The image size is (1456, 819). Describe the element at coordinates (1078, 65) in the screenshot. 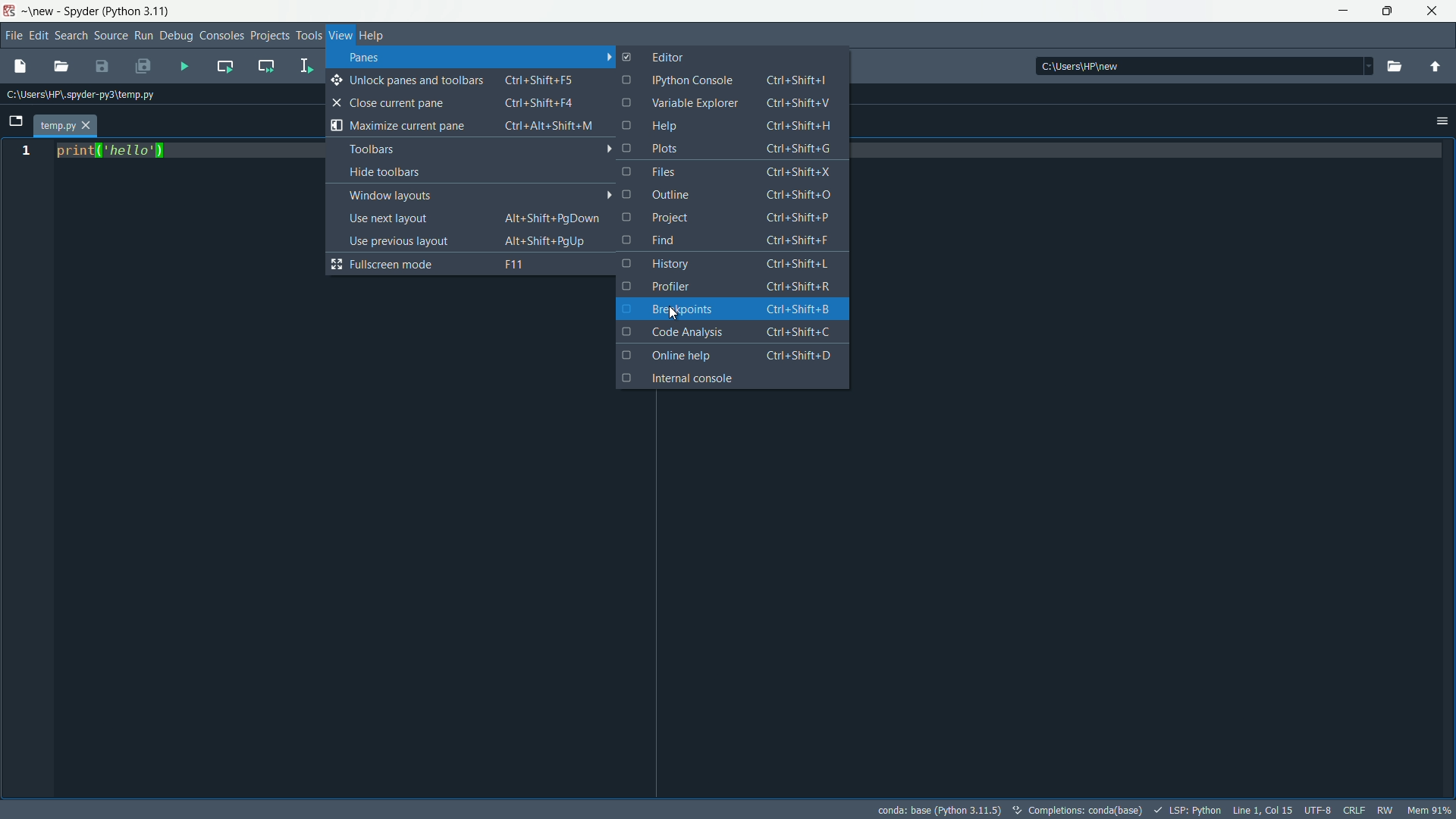

I see `c:\users\hp\new` at that location.